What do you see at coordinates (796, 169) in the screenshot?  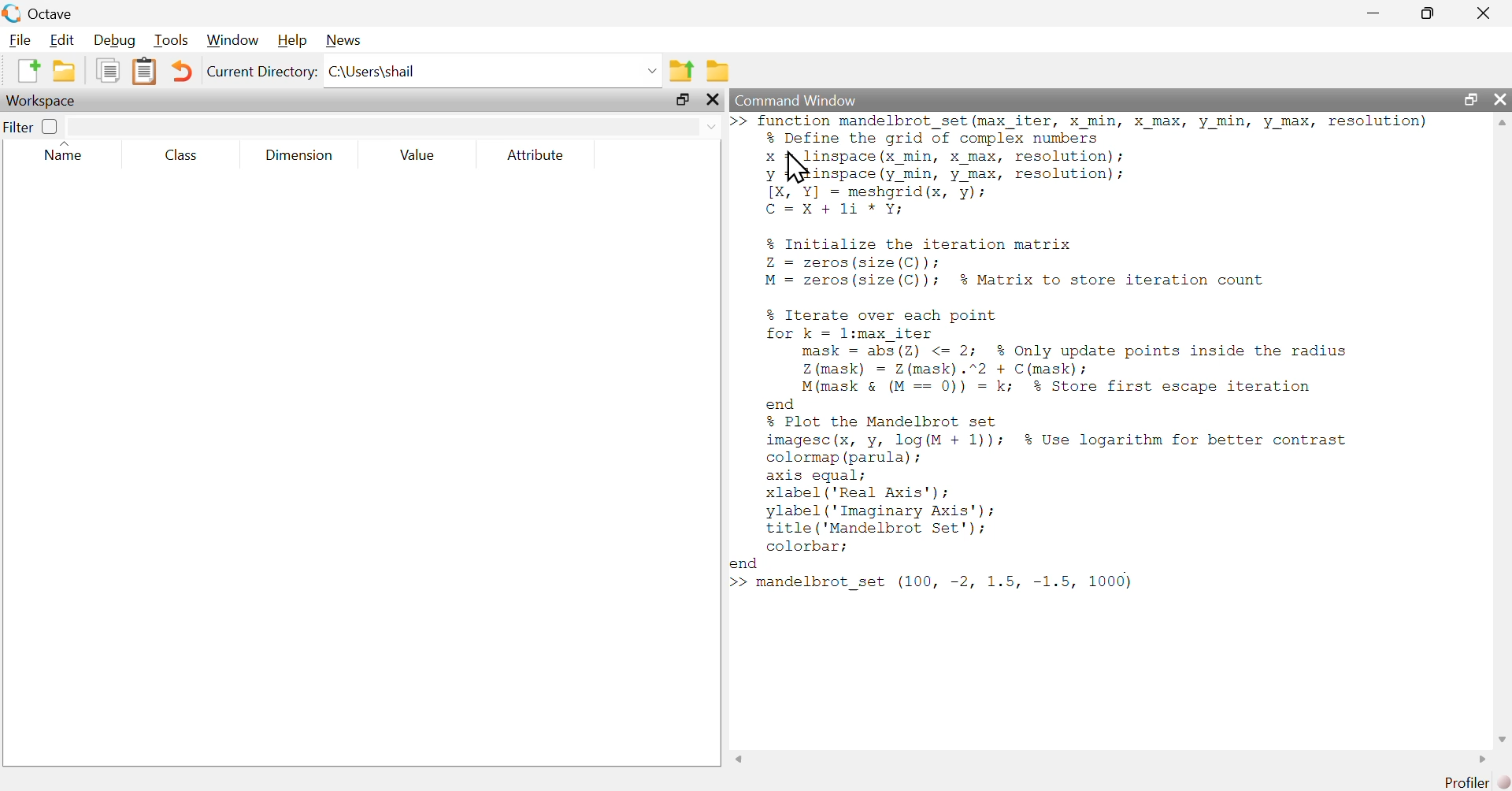 I see `Cursor` at bounding box center [796, 169].